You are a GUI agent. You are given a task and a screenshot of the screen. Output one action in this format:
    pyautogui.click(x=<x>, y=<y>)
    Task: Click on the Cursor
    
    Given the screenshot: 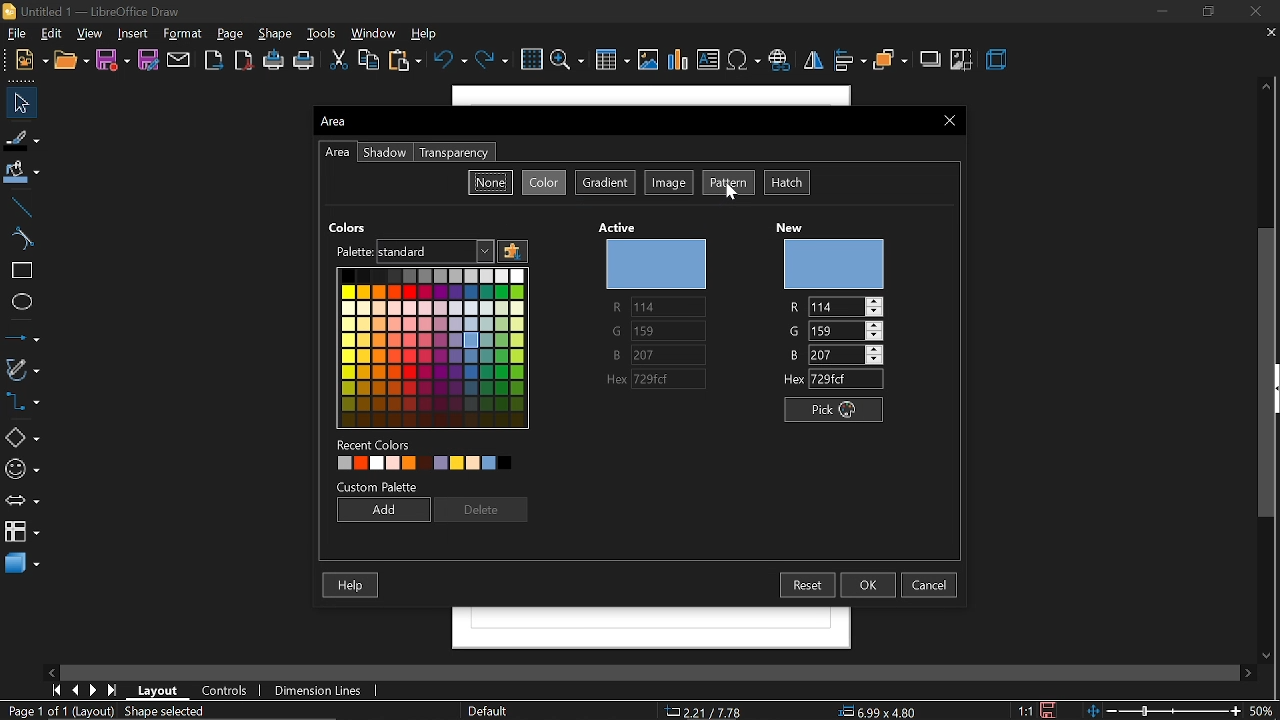 What is the action you would take?
    pyautogui.click(x=728, y=199)
    